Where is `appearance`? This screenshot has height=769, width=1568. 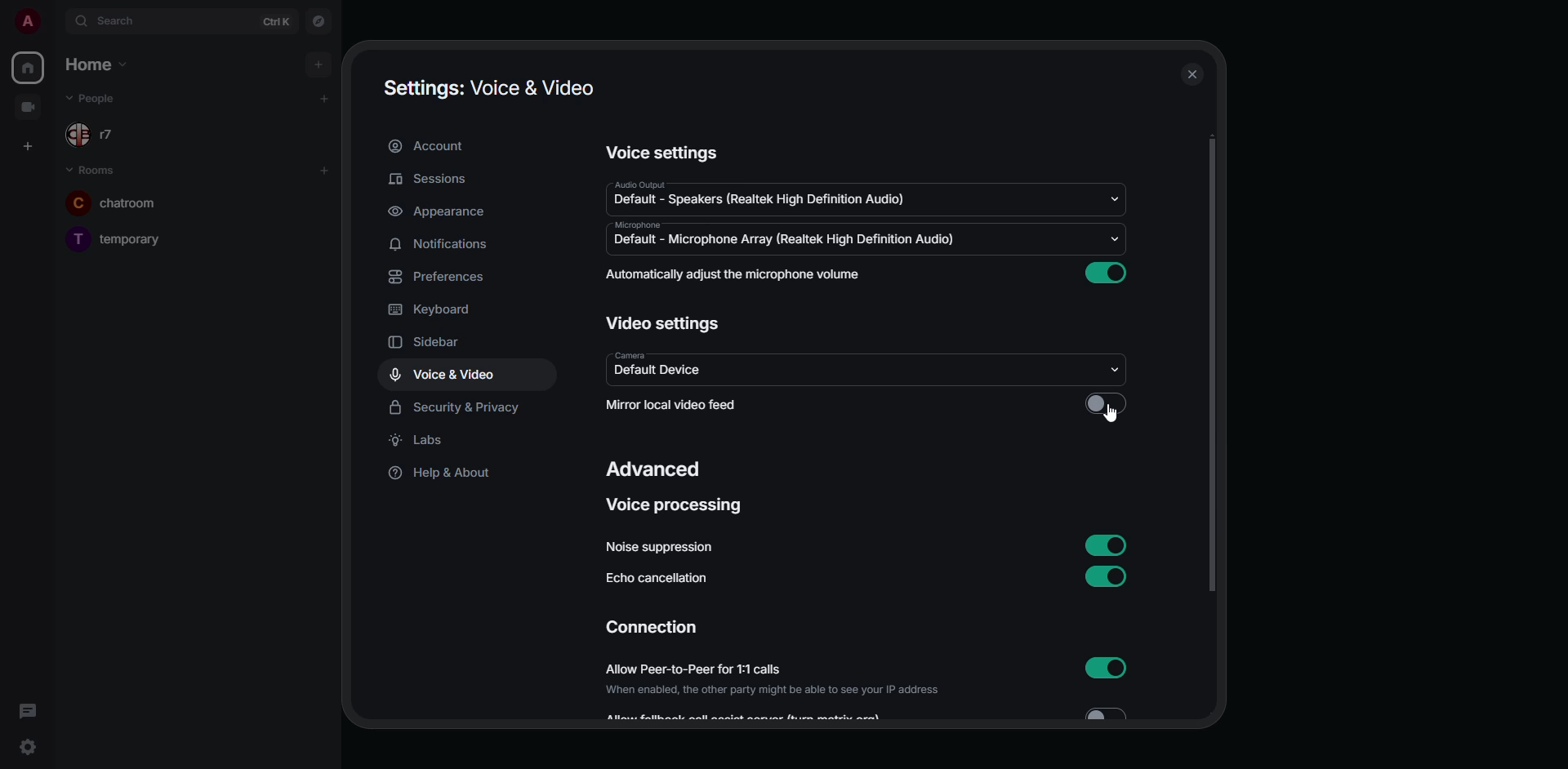 appearance is located at coordinates (439, 213).